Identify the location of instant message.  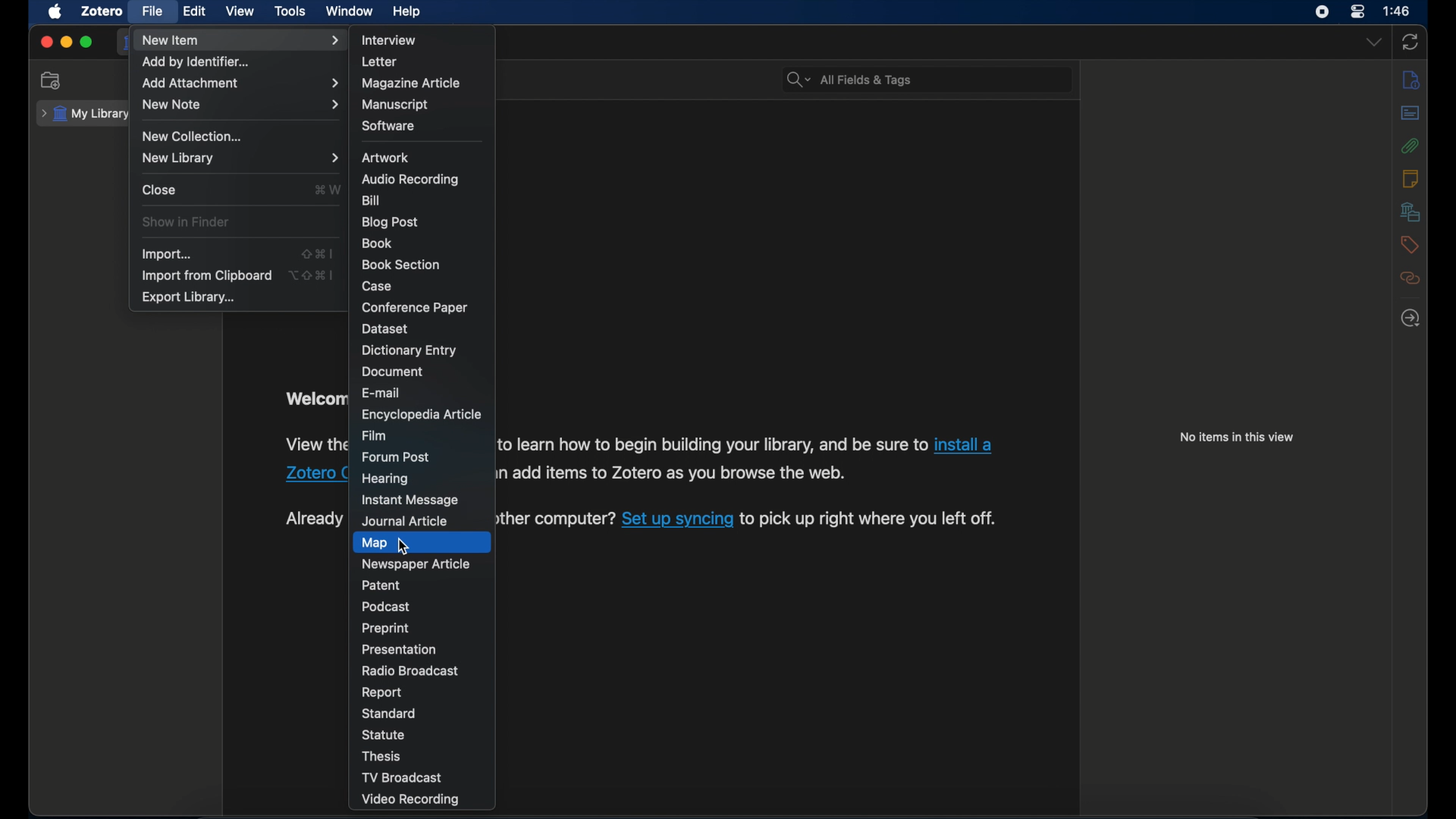
(409, 500).